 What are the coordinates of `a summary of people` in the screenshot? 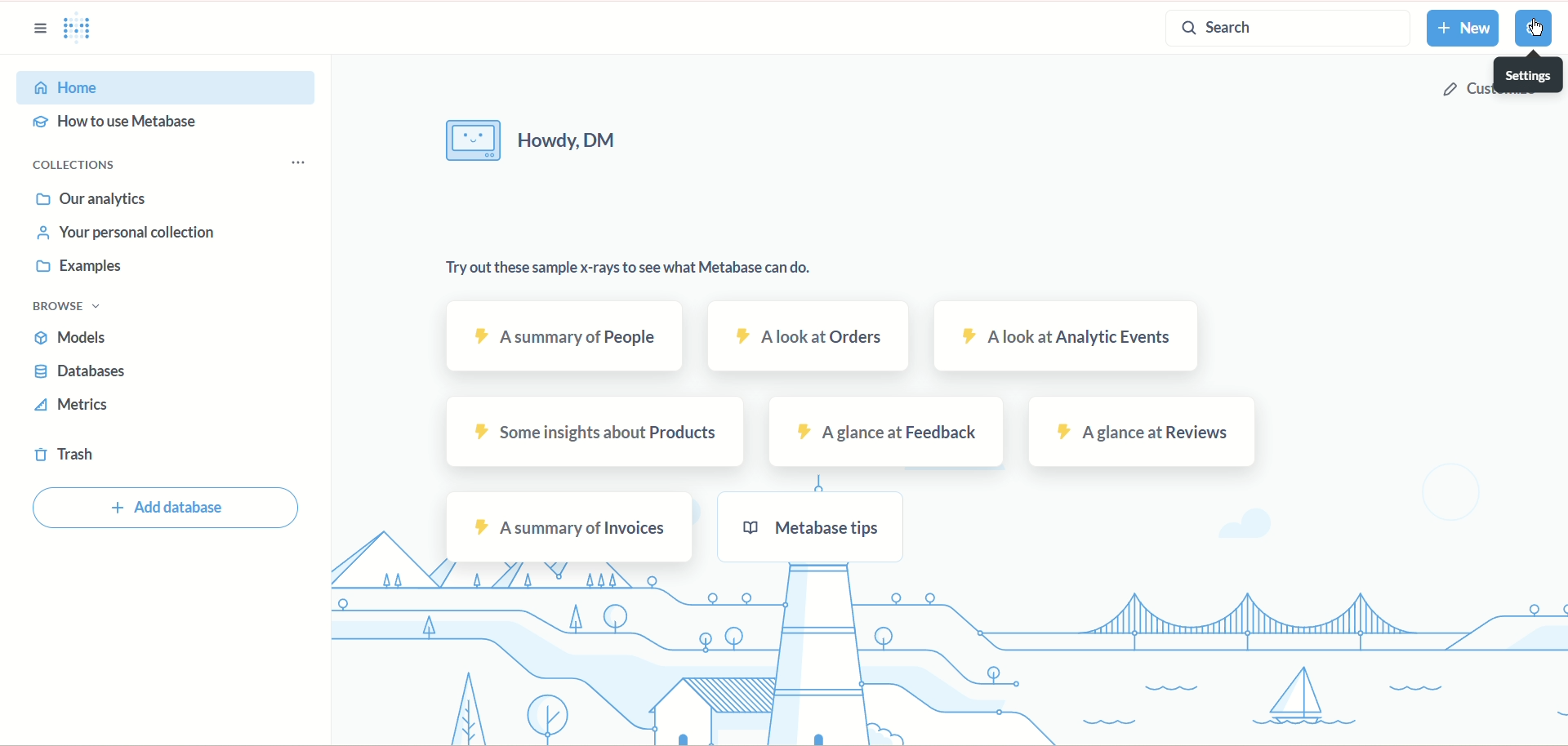 It's located at (567, 335).